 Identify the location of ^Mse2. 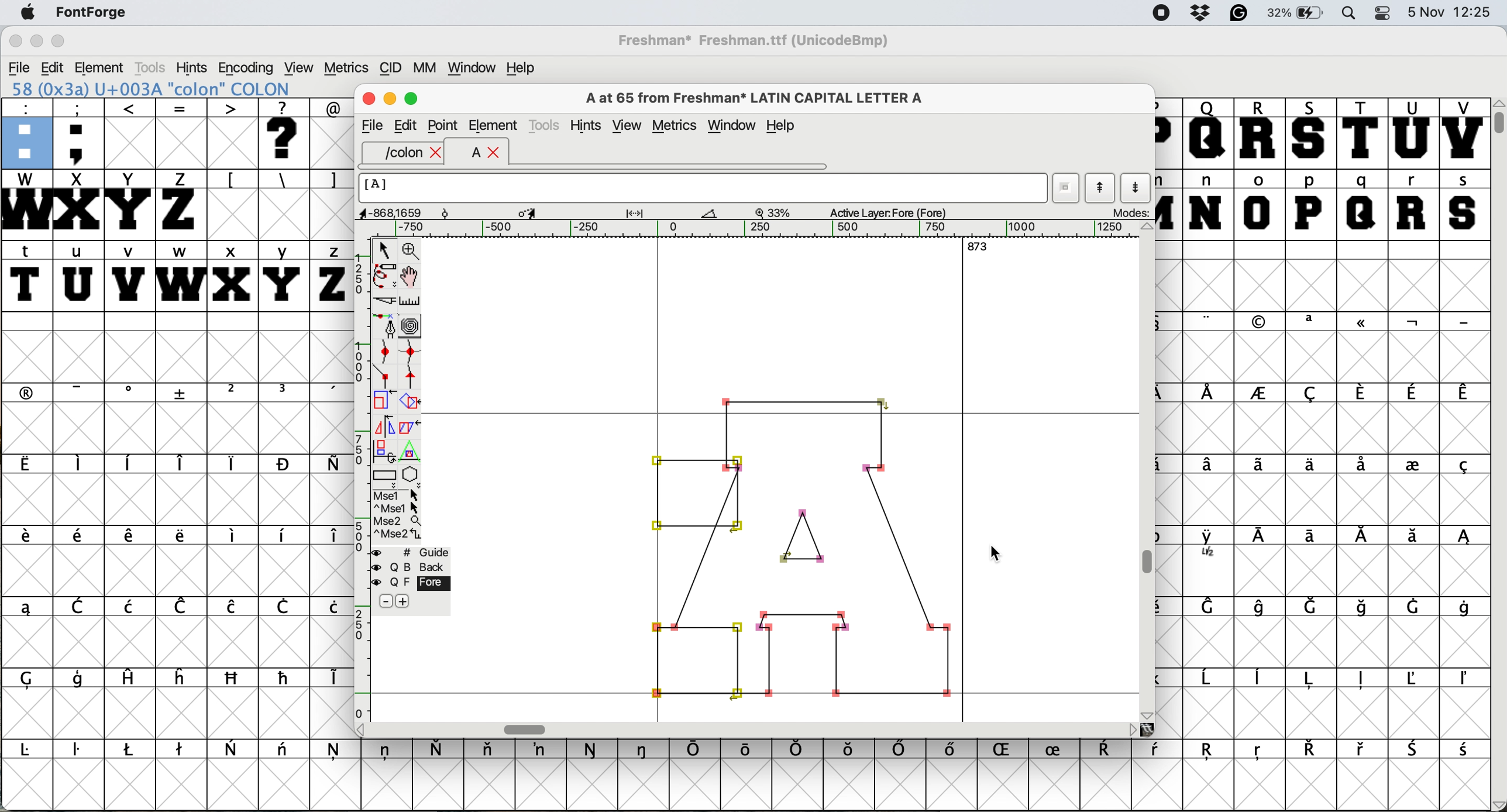
(398, 534).